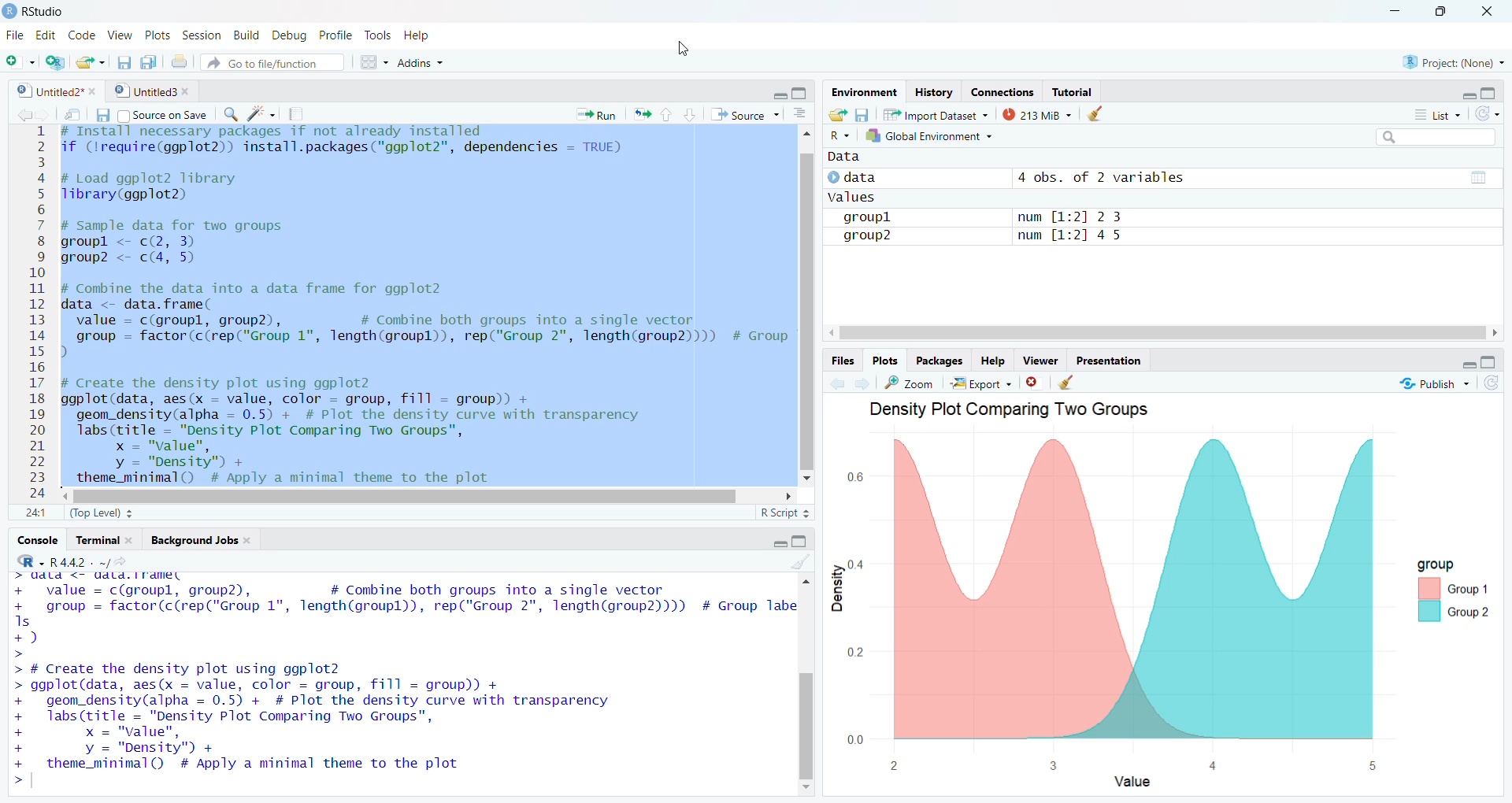  I want to click on CLEAR, so click(1074, 383).